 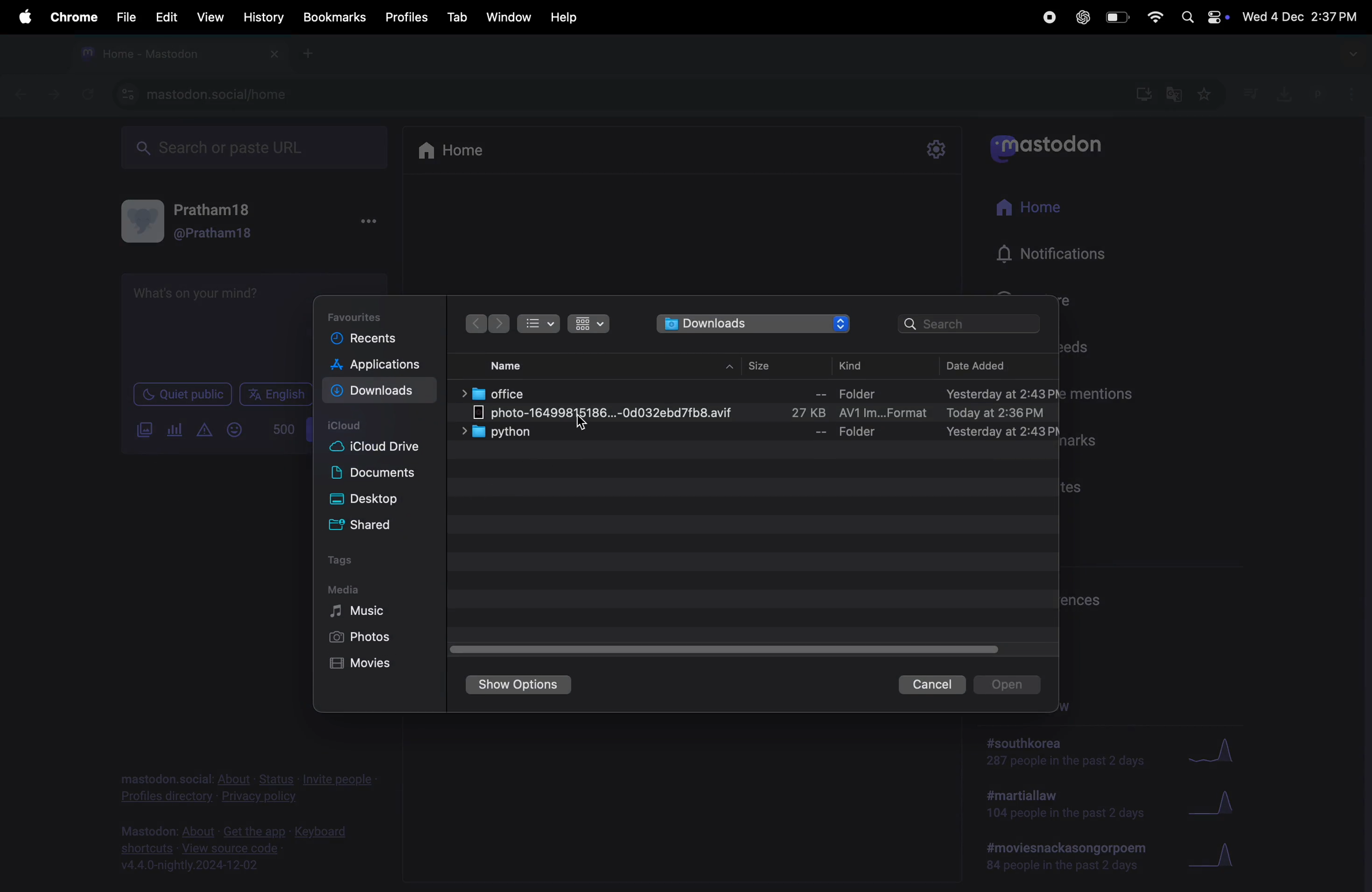 I want to click on tags, so click(x=346, y=563).